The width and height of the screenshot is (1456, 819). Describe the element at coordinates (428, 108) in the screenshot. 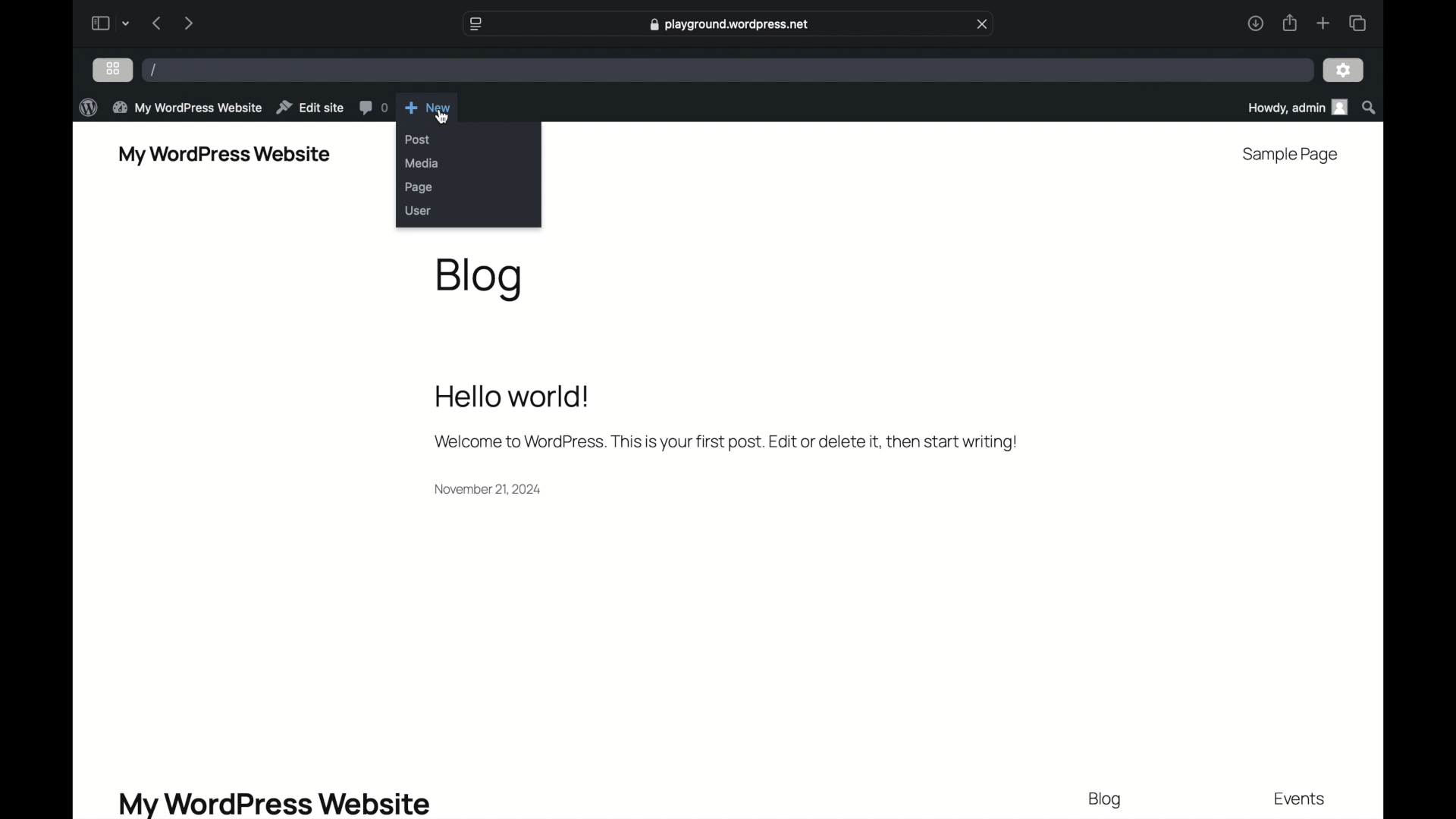

I see `new` at that location.